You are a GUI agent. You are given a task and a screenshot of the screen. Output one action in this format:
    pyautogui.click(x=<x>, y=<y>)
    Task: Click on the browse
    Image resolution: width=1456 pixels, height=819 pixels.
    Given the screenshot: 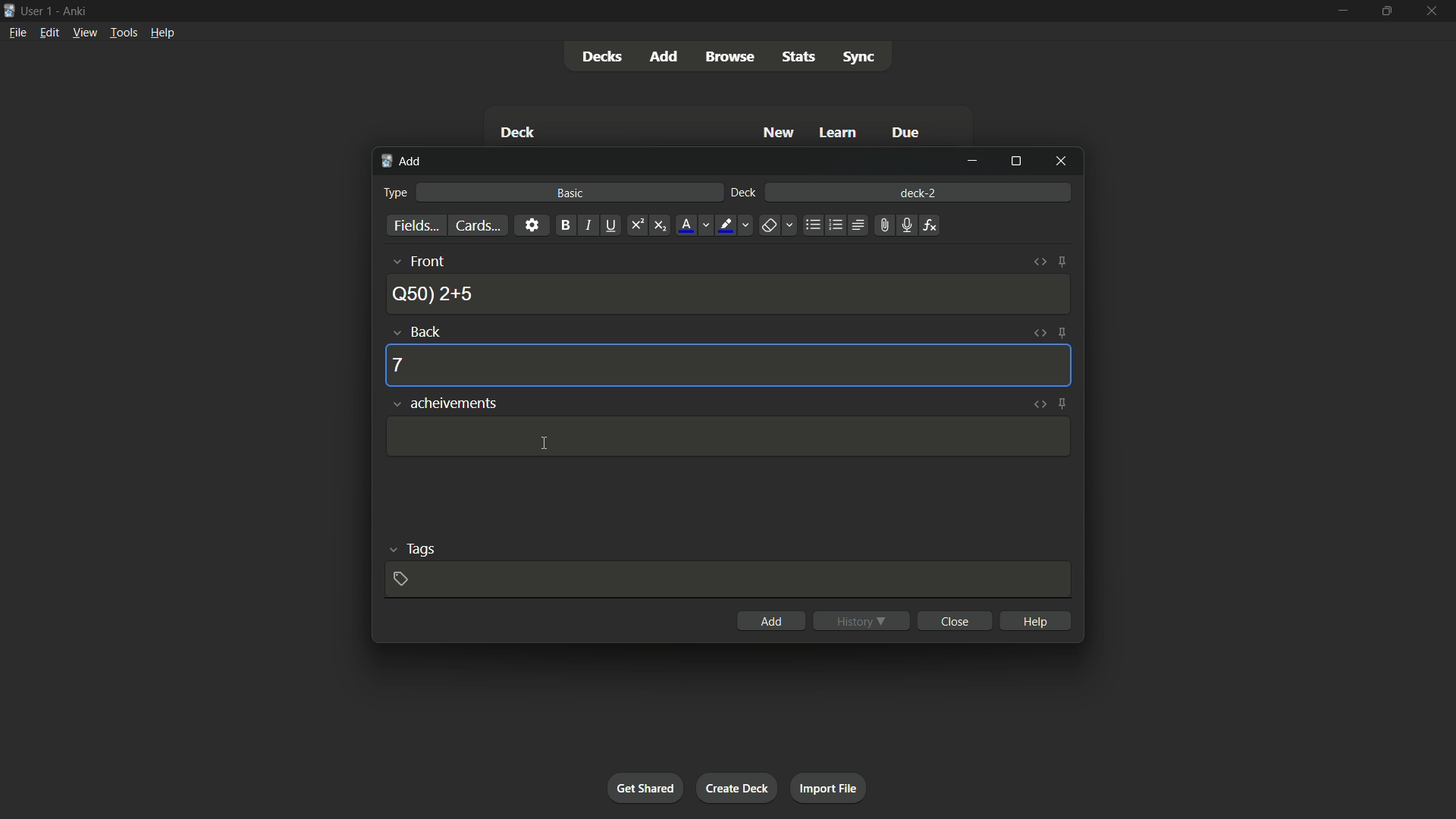 What is the action you would take?
    pyautogui.click(x=727, y=57)
    